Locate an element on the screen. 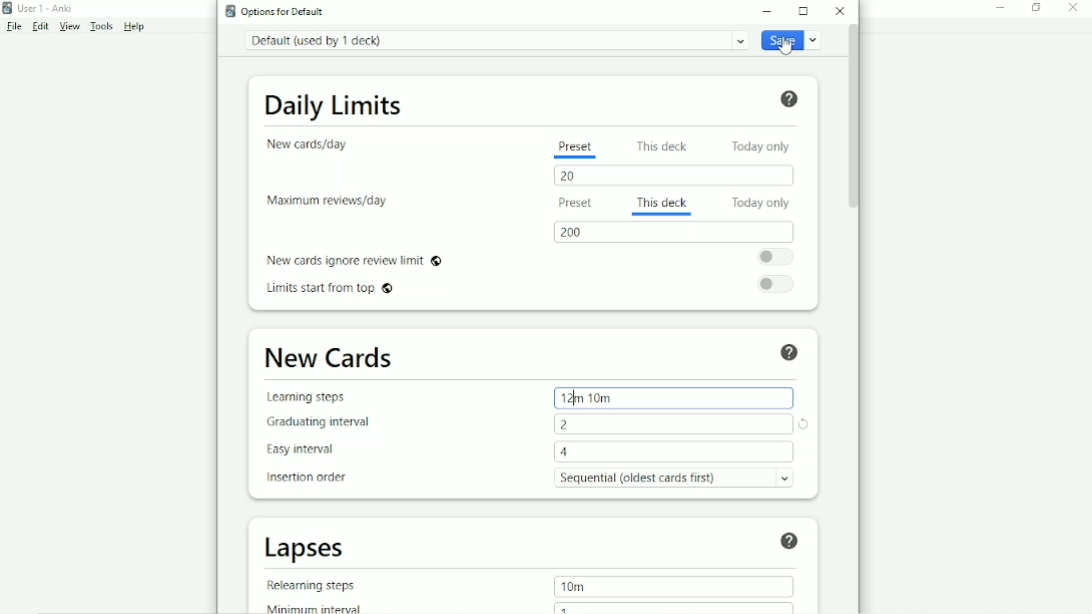 The width and height of the screenshot is (1092, 614). File is located at coordinates (16, 27).